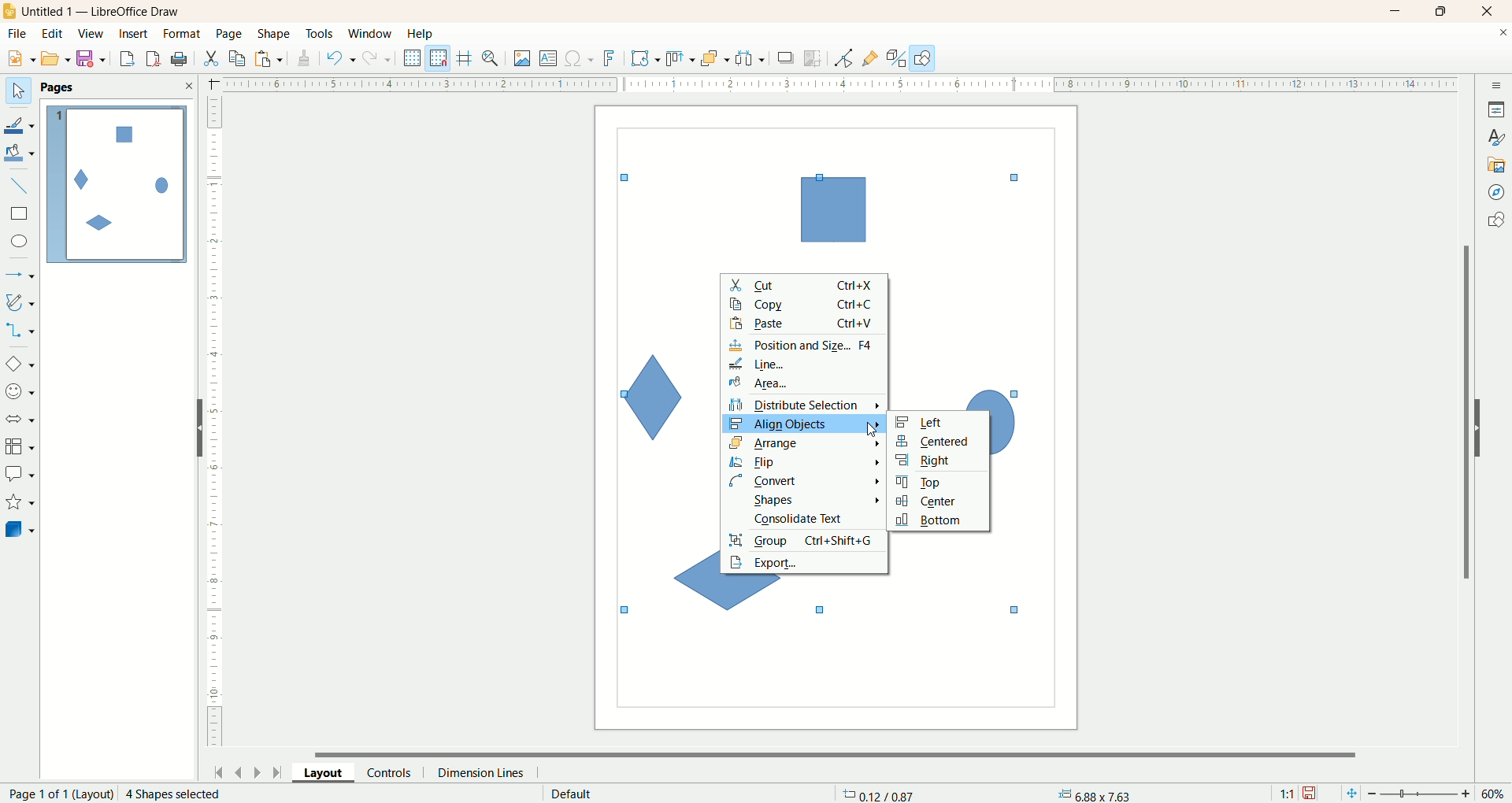 The image size is (1512, 803). What do you see at coordinates (53, 35) in the screenshot?
I see `edit` at bounding box center [53, 35].